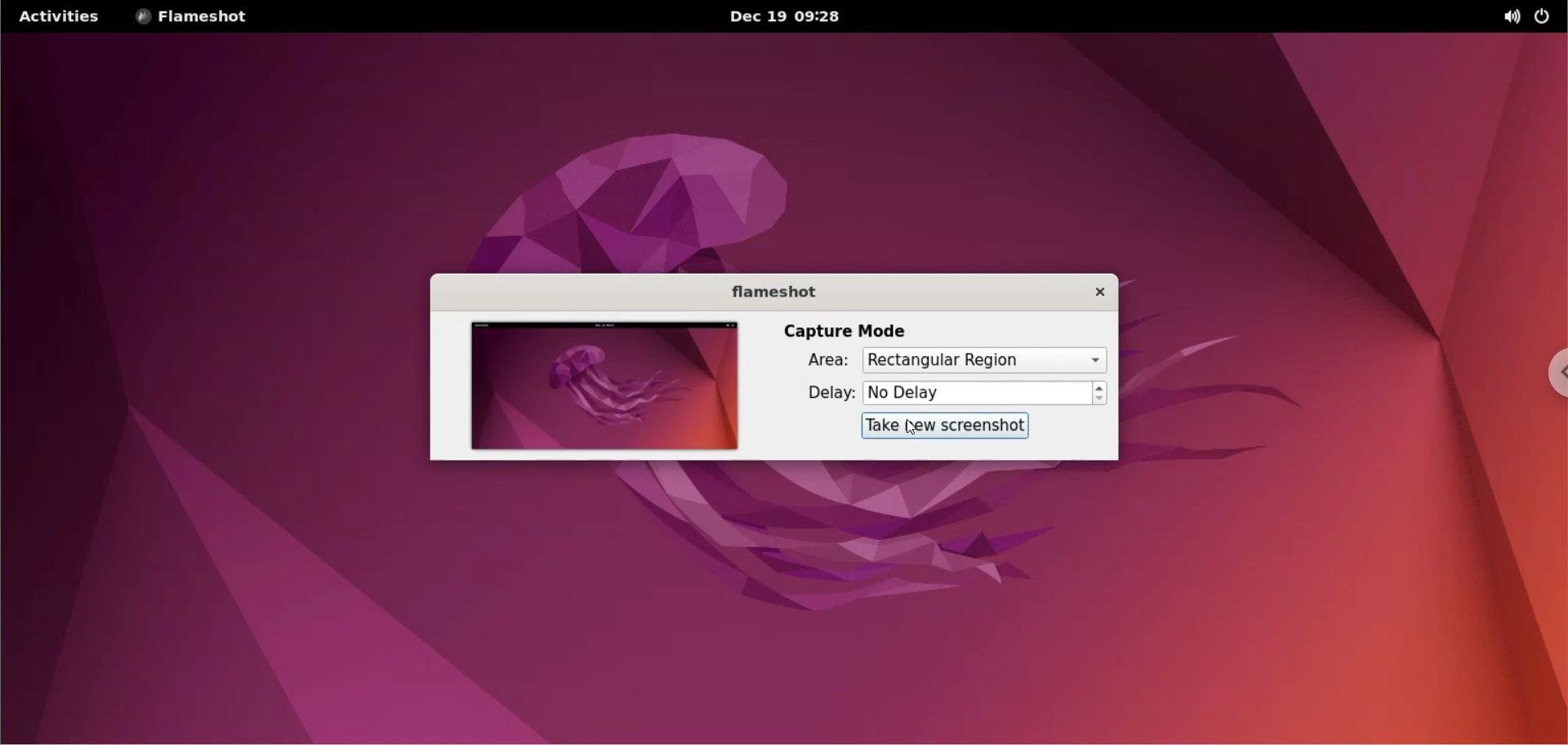 The width and height of the screenshot is (1568, 745). I want to click on increment and decrement delay, so click(1101, 394).